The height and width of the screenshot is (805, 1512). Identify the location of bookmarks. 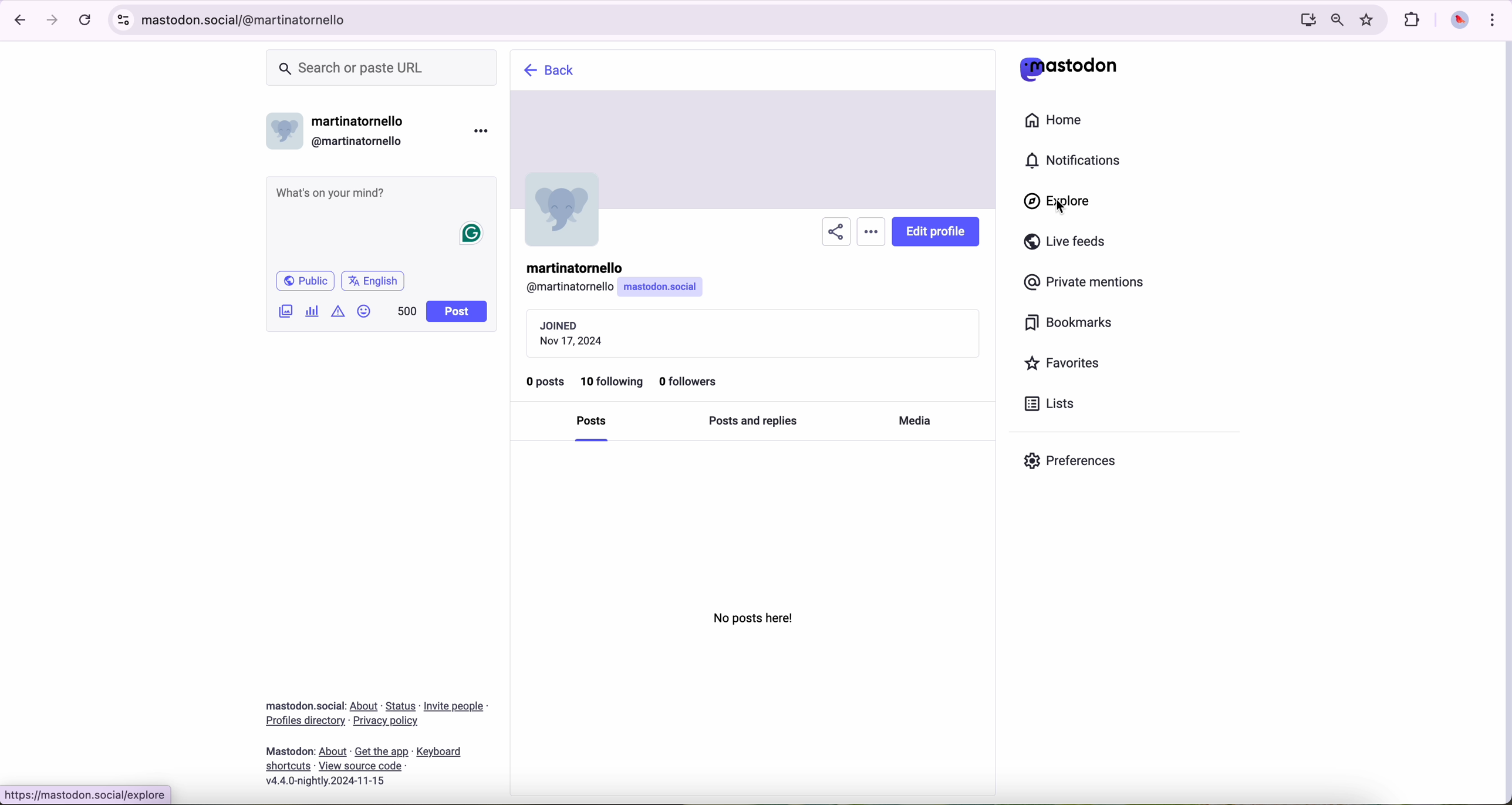
(1069, 323).